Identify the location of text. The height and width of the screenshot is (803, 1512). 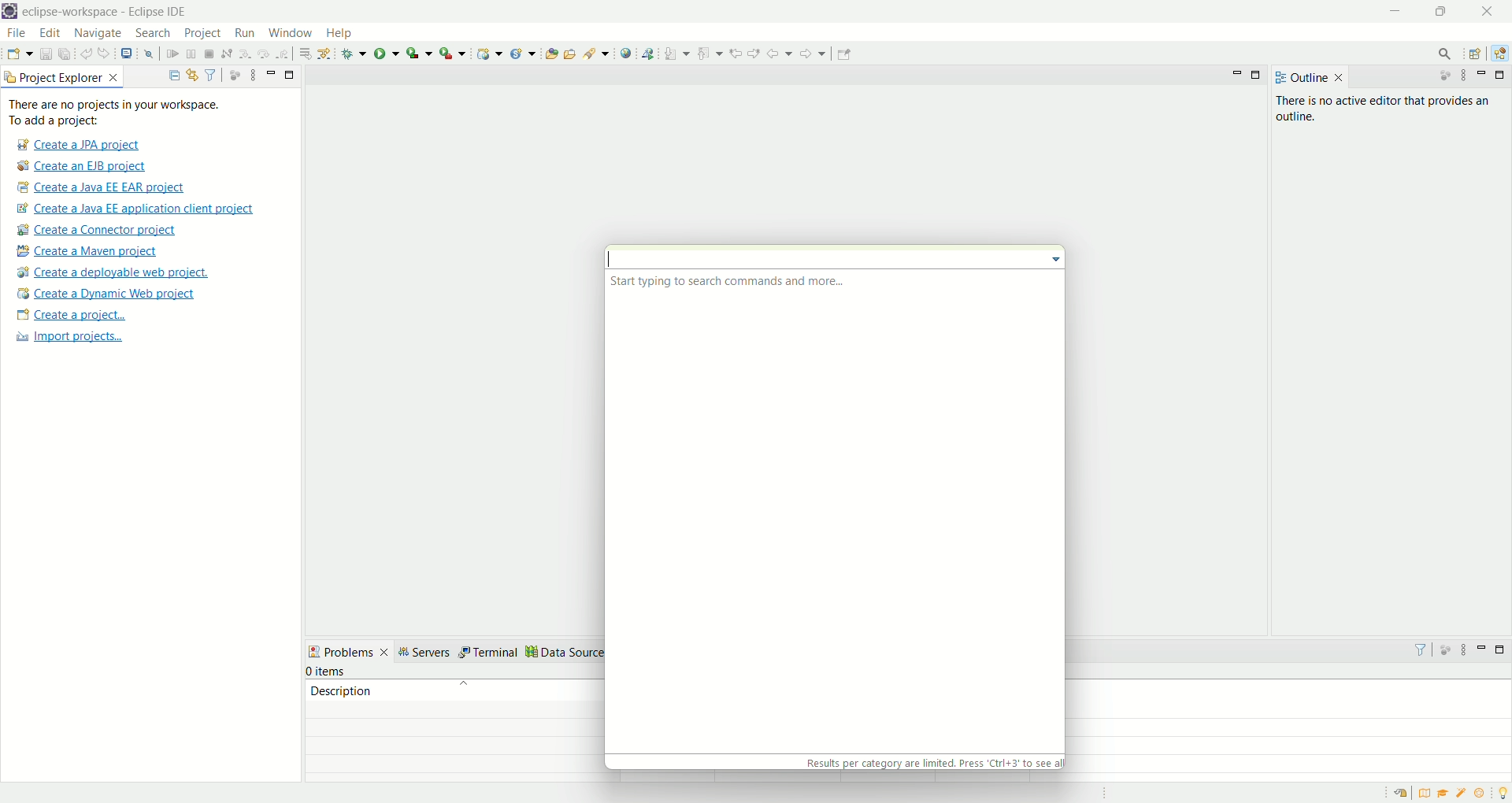
(932, 762).